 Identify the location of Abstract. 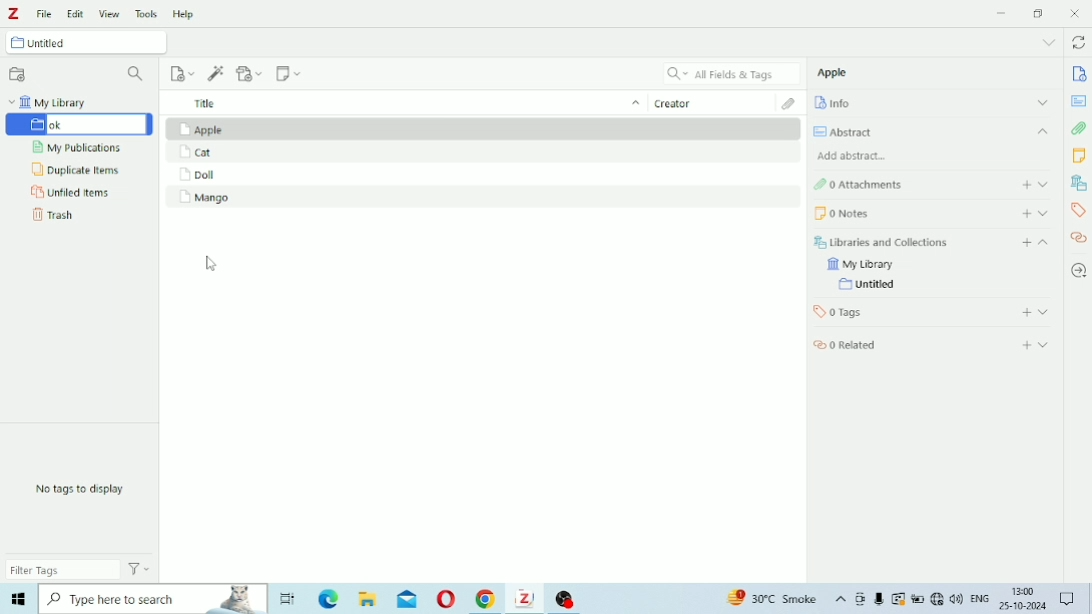
(933, 131).